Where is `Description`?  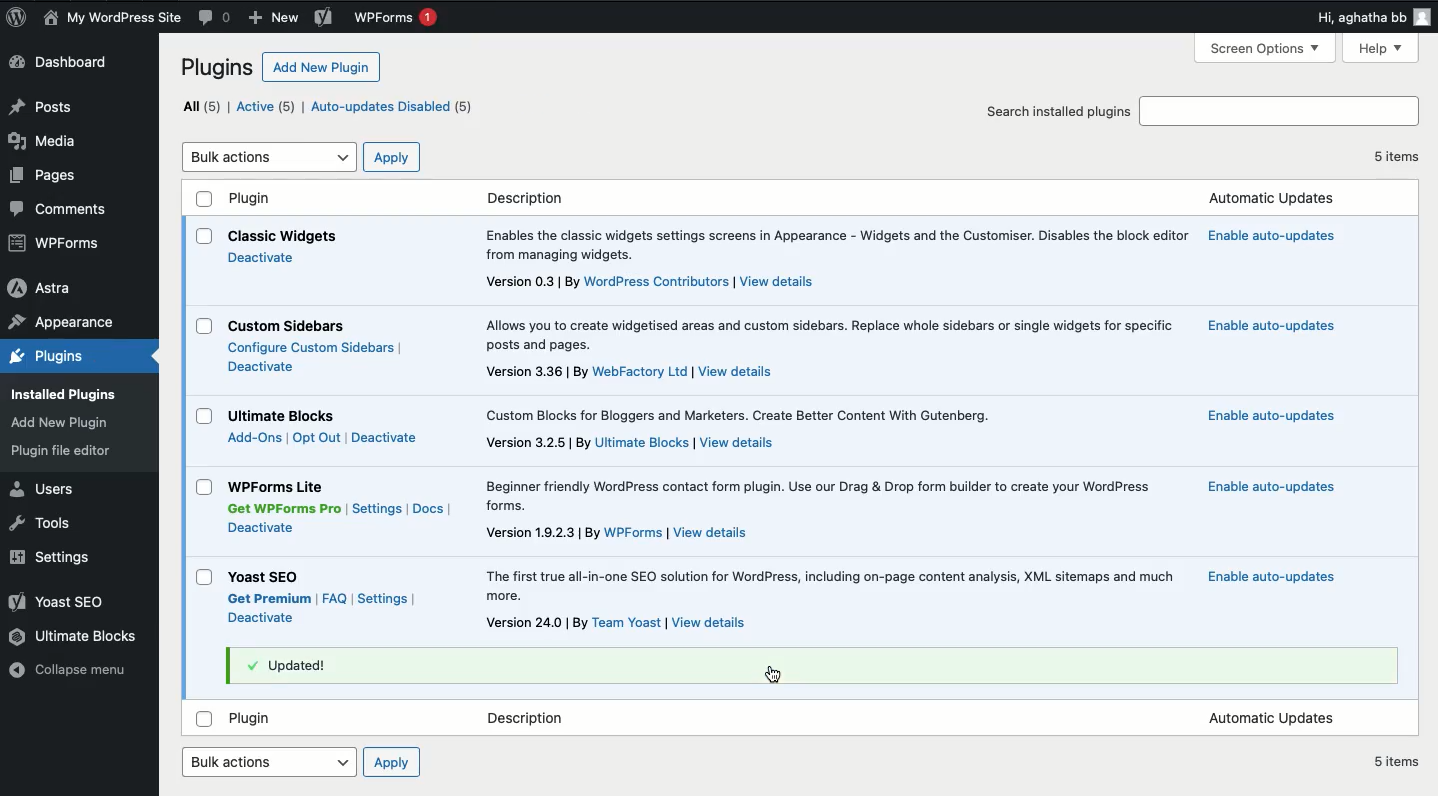 Description is located at coordinates (620, 623).